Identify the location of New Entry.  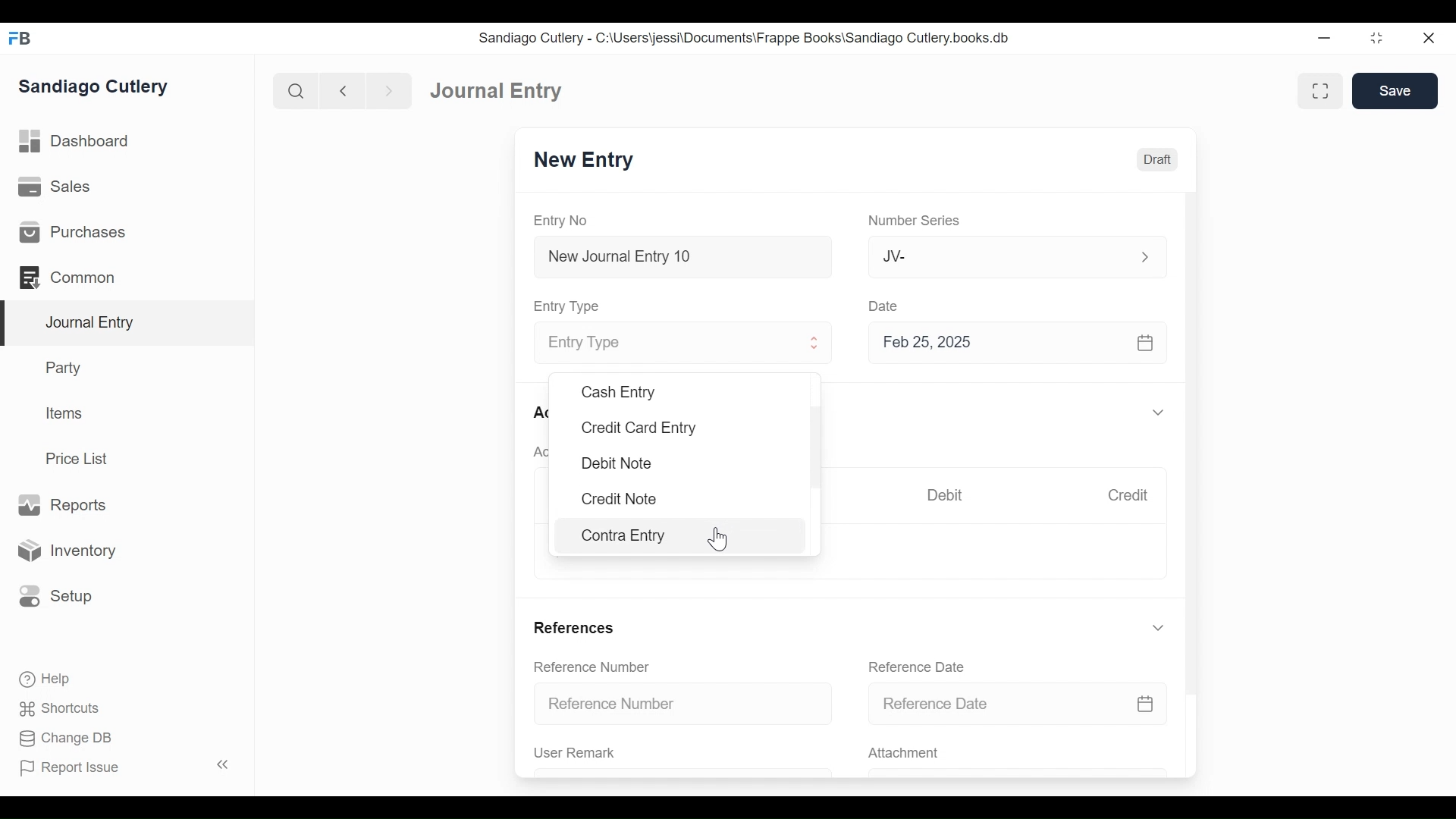
(588, 162).